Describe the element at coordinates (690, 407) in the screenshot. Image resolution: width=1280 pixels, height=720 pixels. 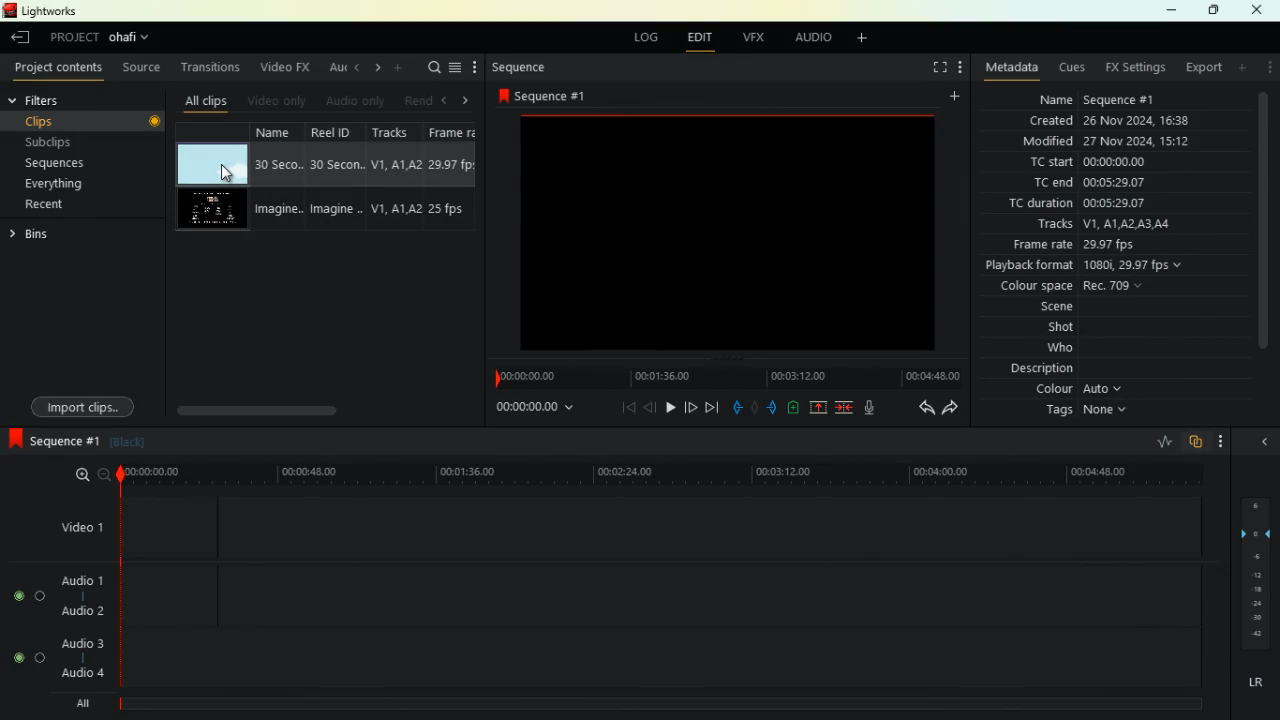
I see `forward` at that location.